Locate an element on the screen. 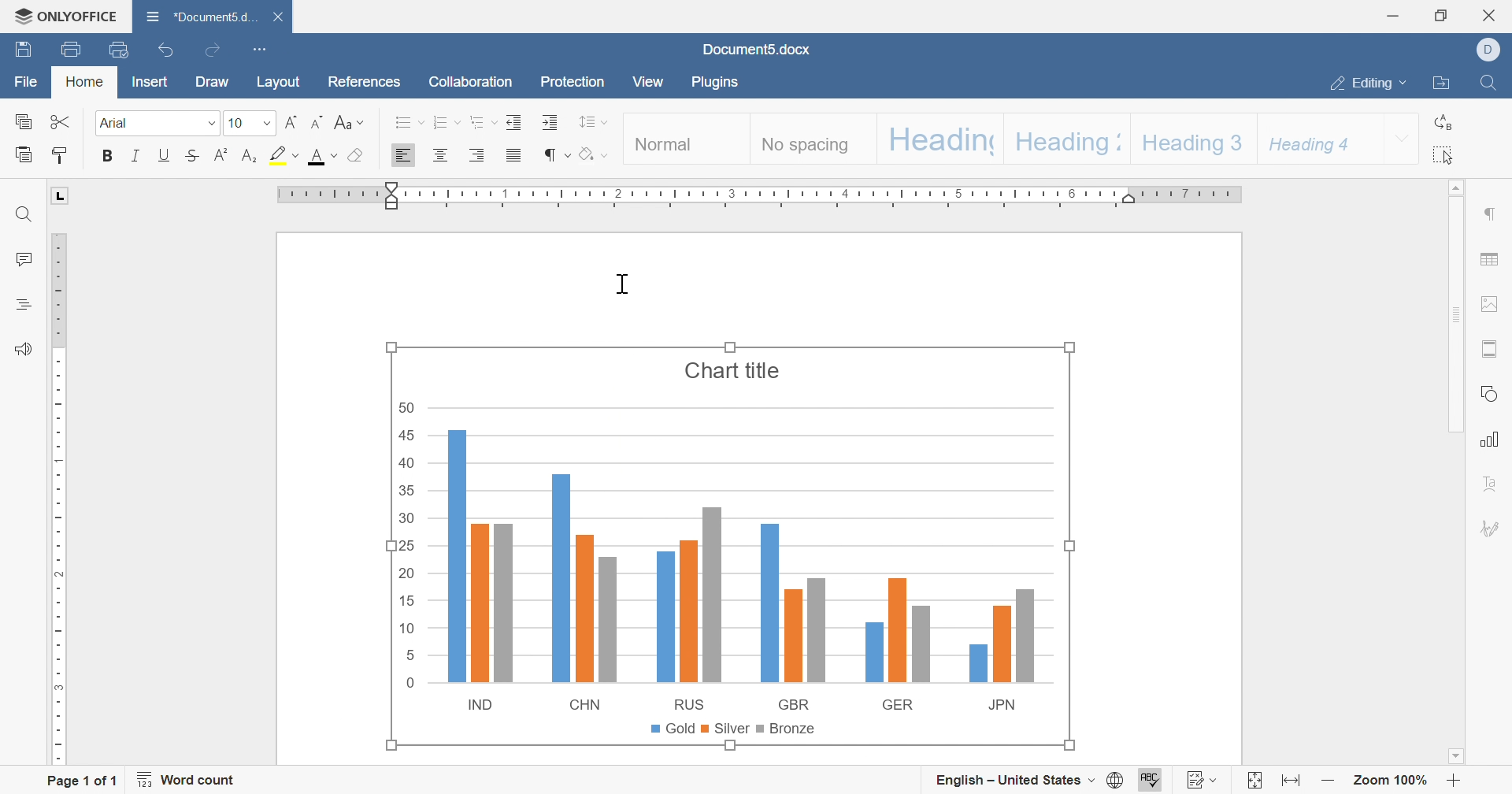 The width and height of the screenshot is (1512, 794). home is located at coordinates (85, 80).